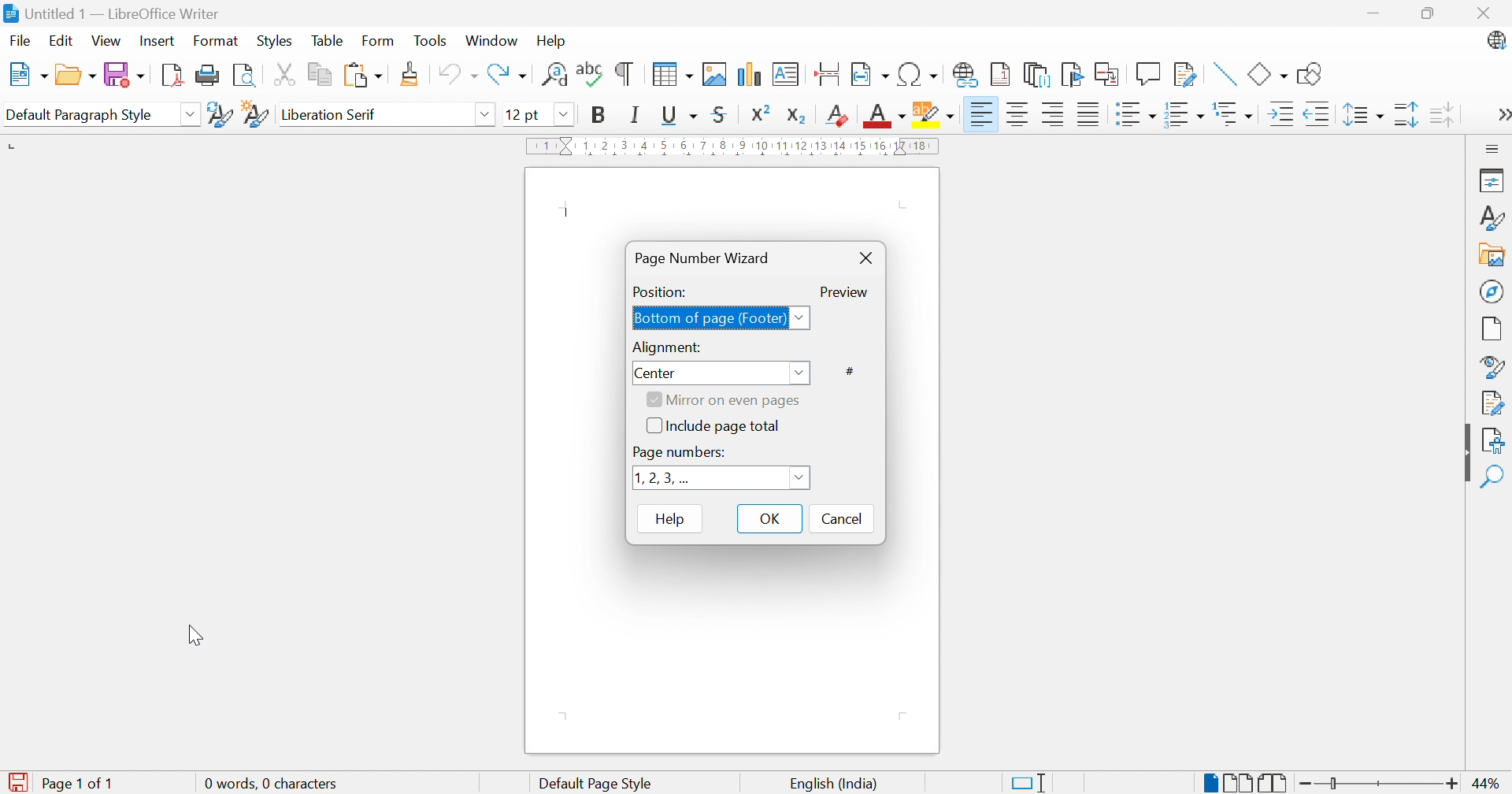 The width and height of the screenshot is (1512, 794). I want to click on Select outline format, so click(1236, 115).